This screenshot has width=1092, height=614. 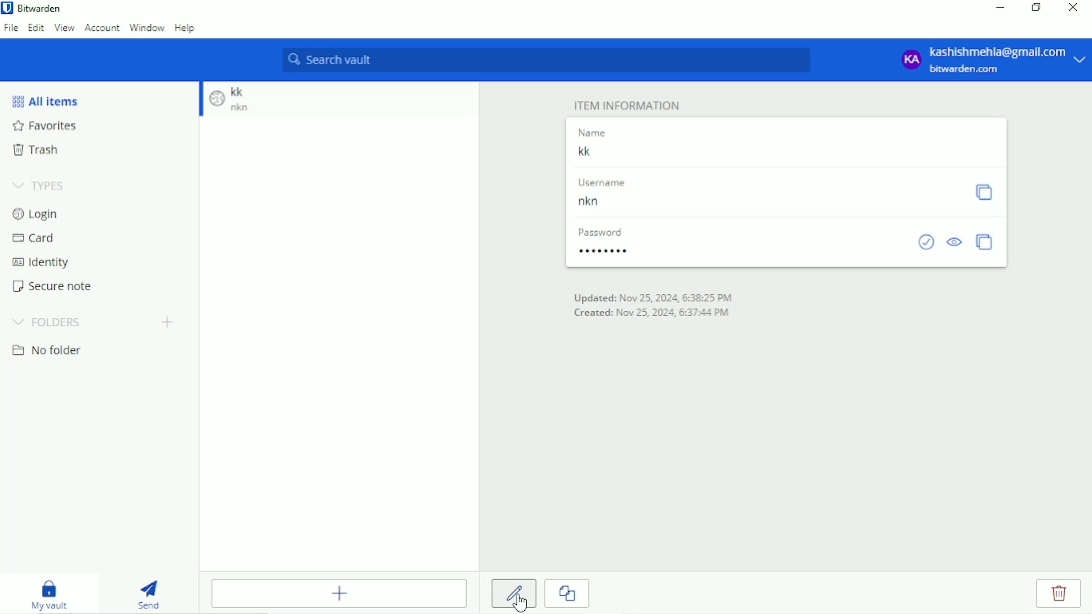 I want to click on Edit, so click(x=513, y=593).